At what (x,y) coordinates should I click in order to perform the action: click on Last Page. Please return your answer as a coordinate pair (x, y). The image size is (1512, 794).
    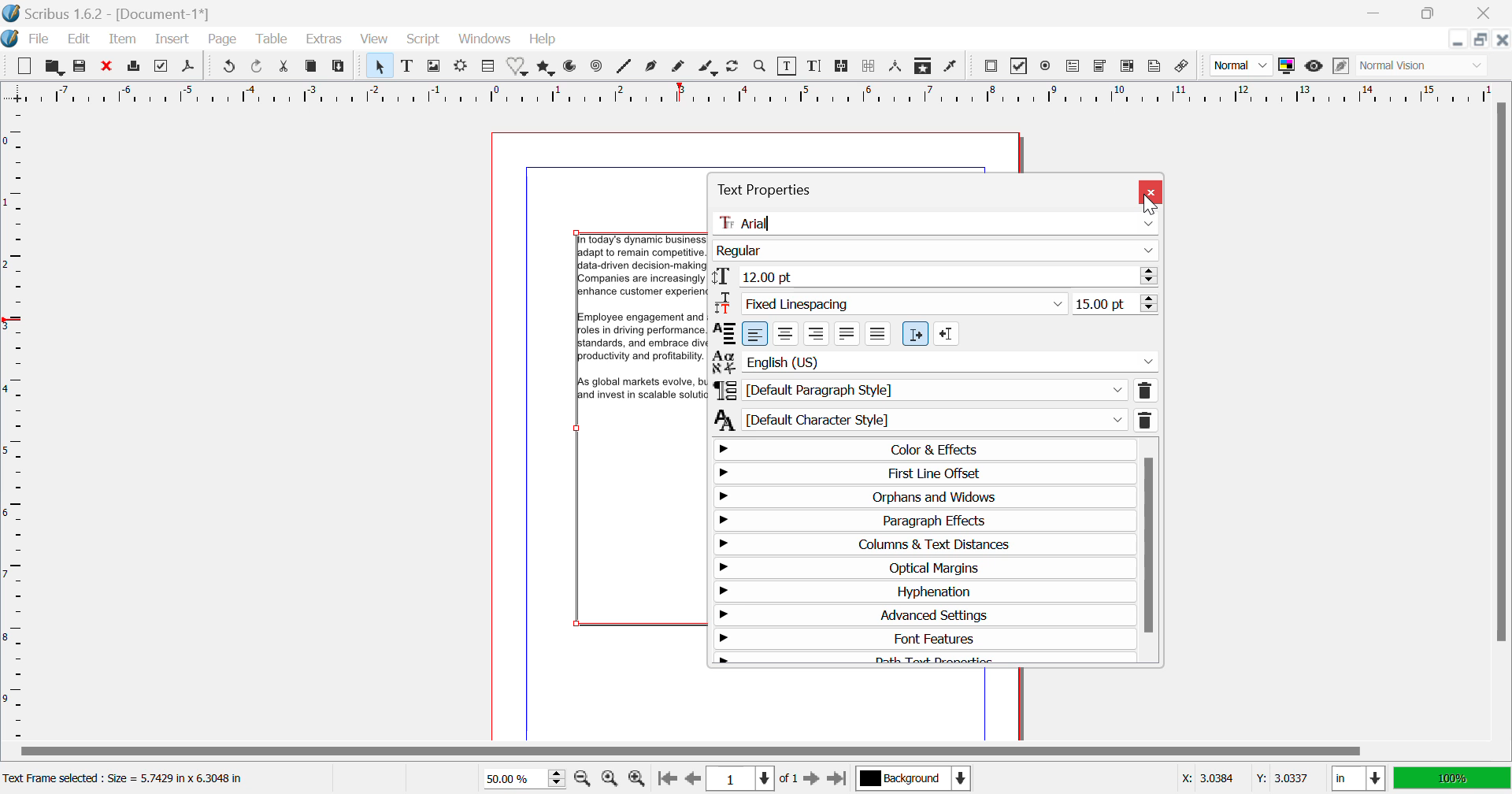
    Looking at the image, I should click on (838, 779).